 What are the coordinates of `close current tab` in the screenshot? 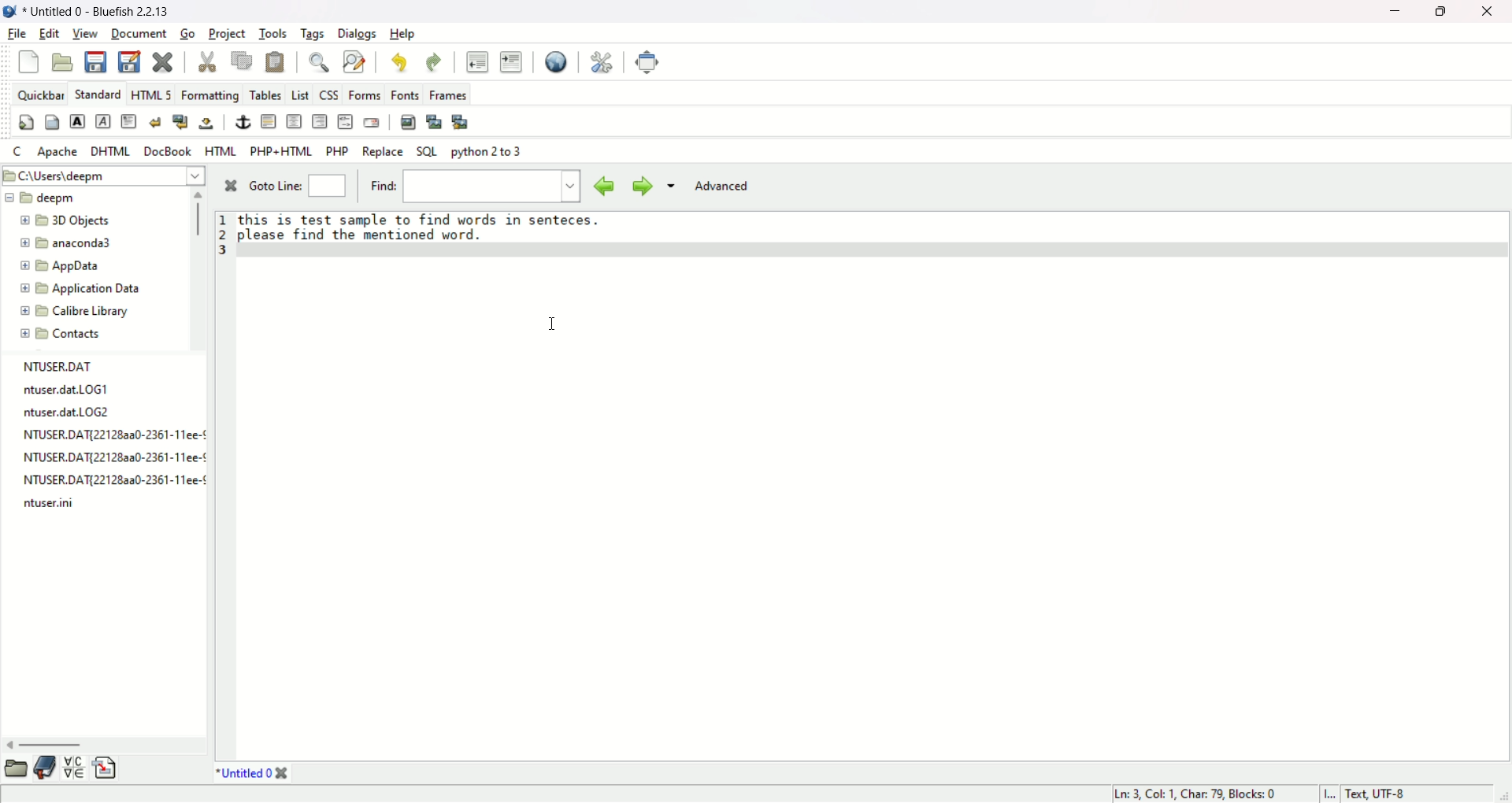 It's located at (283, 775).